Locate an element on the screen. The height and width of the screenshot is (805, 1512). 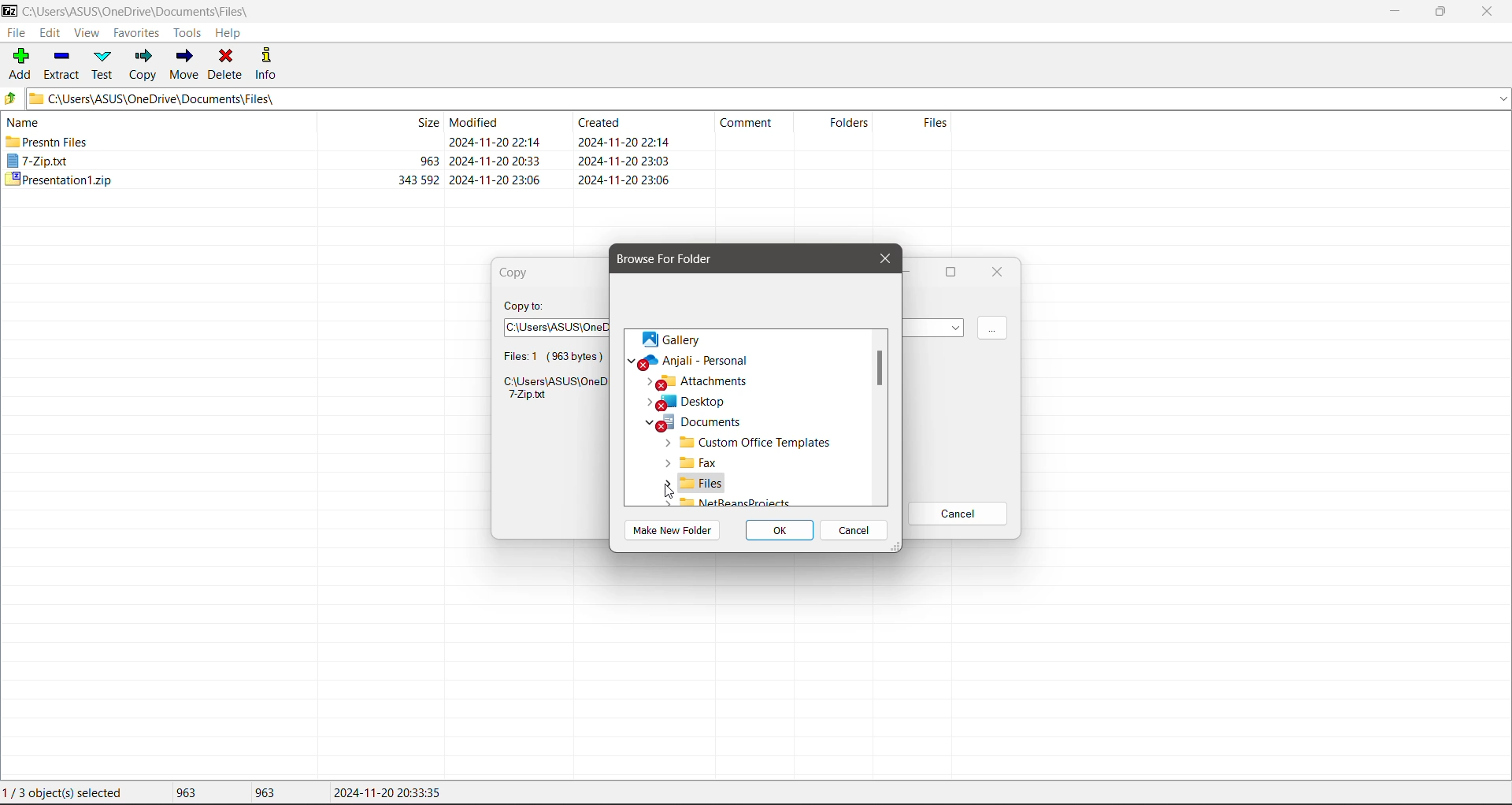
Click to Browse for more locations is located at coordinates (996, 328).